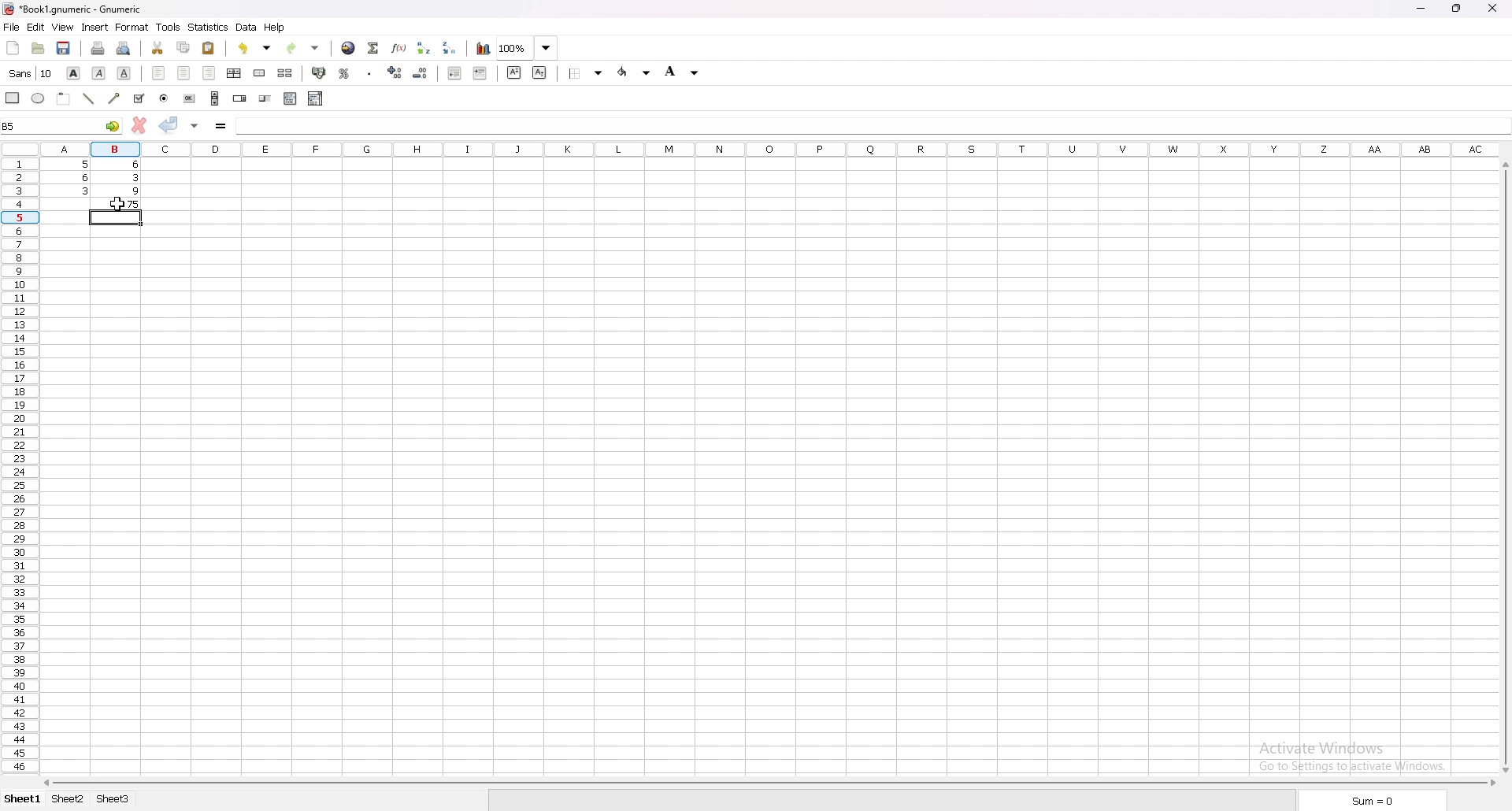 The height and width of the screenshot is (811, 1512). Describe the element at coordinates (31, 73) in the screenshot. I see `font` at that location.